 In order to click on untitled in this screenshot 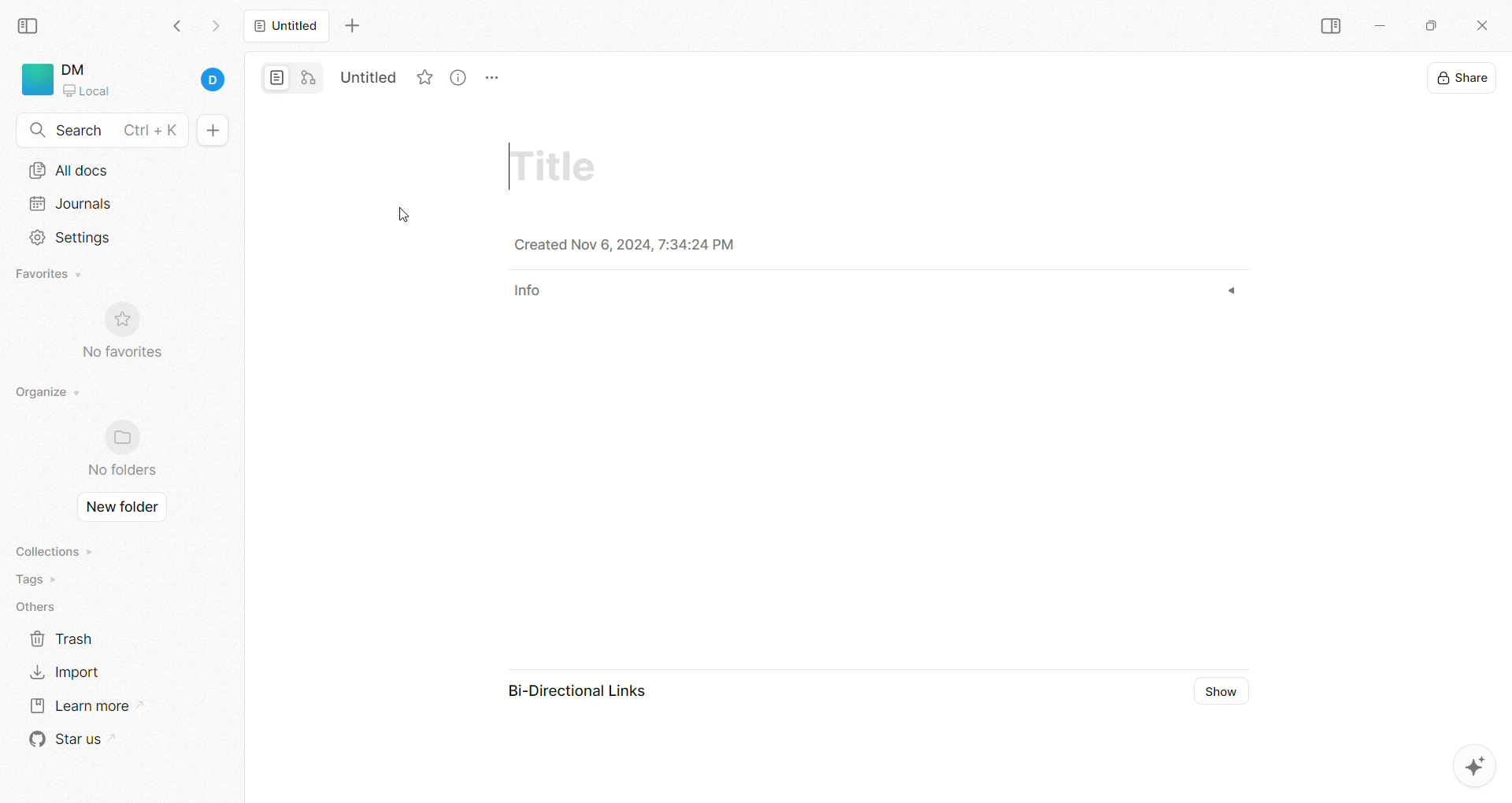, I will do `click(369, 75)`.